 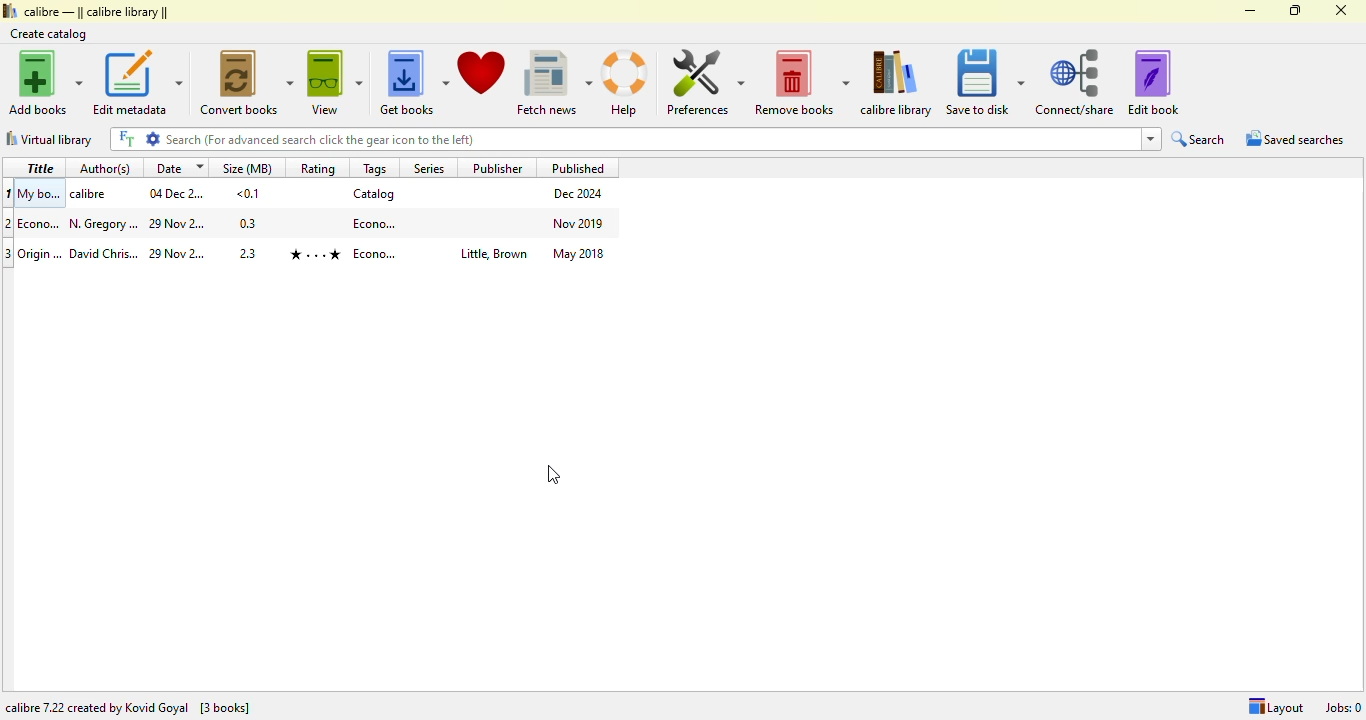 What do you see at coordinates (245, 82) in the screenshot?
I see `convert books` at bounding box center [245, 82].